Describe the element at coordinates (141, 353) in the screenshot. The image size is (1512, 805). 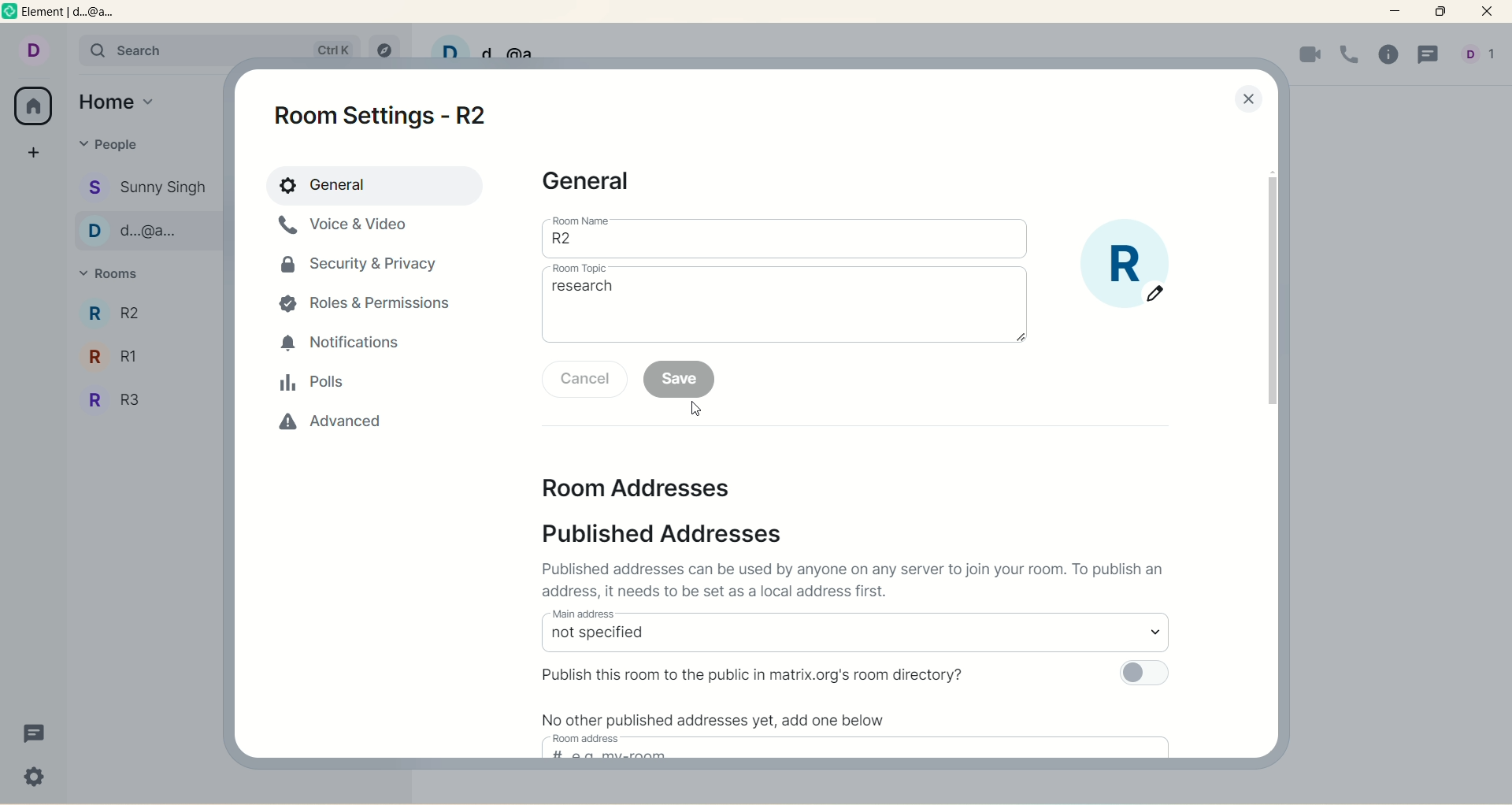
I see `R3` at that location.